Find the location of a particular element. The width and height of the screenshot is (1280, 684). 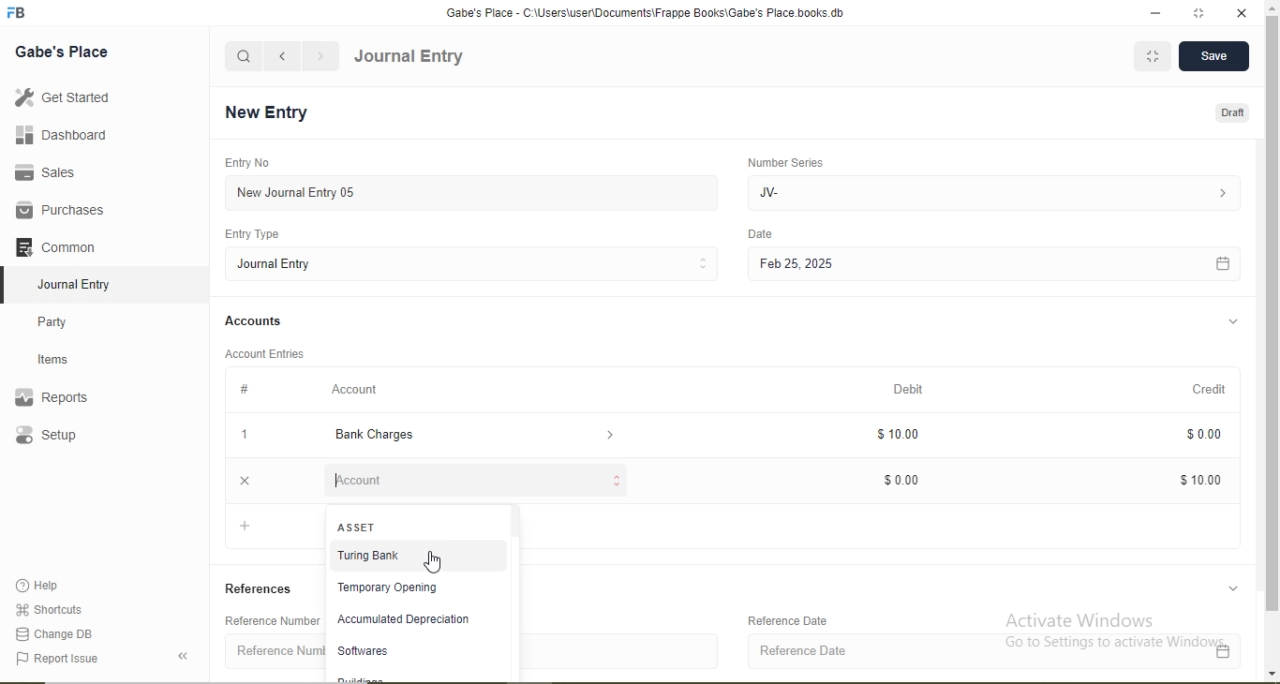

Setup is located at coordinates (75, 437).